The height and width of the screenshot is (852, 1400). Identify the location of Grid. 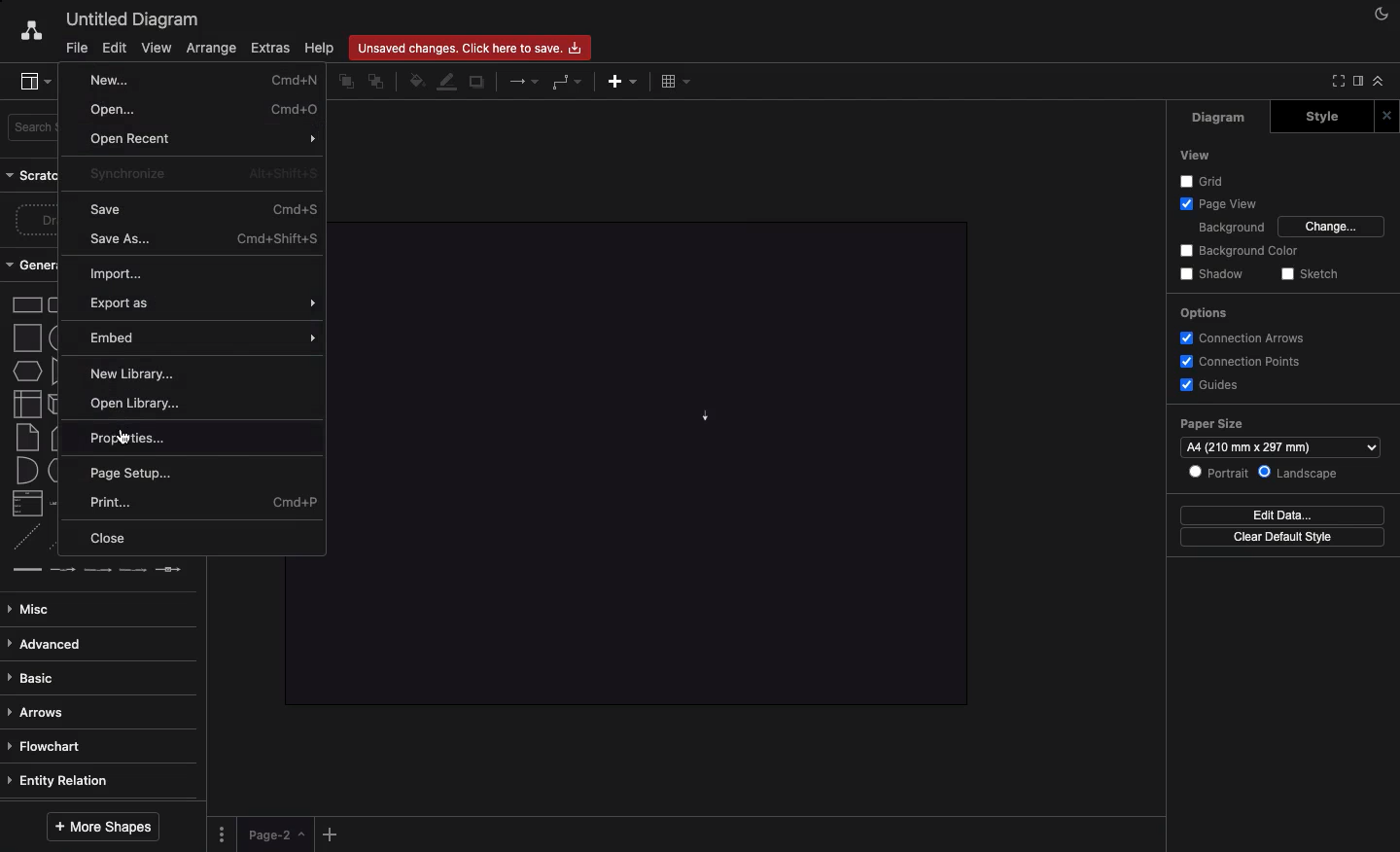
(1205, 180).